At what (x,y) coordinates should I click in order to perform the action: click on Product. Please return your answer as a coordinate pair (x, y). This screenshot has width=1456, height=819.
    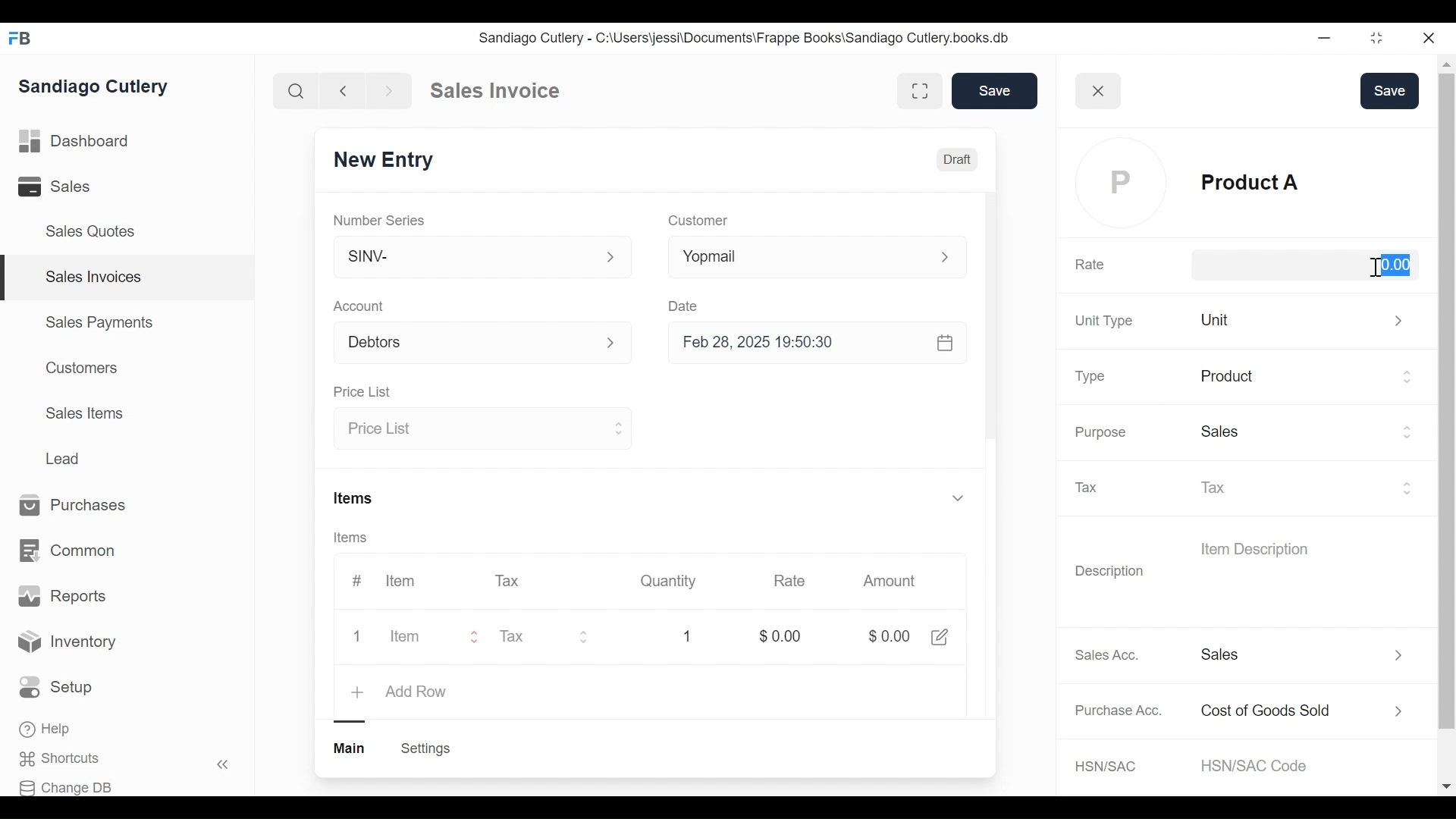
    Looking at the image, I should click on (1308, 378).